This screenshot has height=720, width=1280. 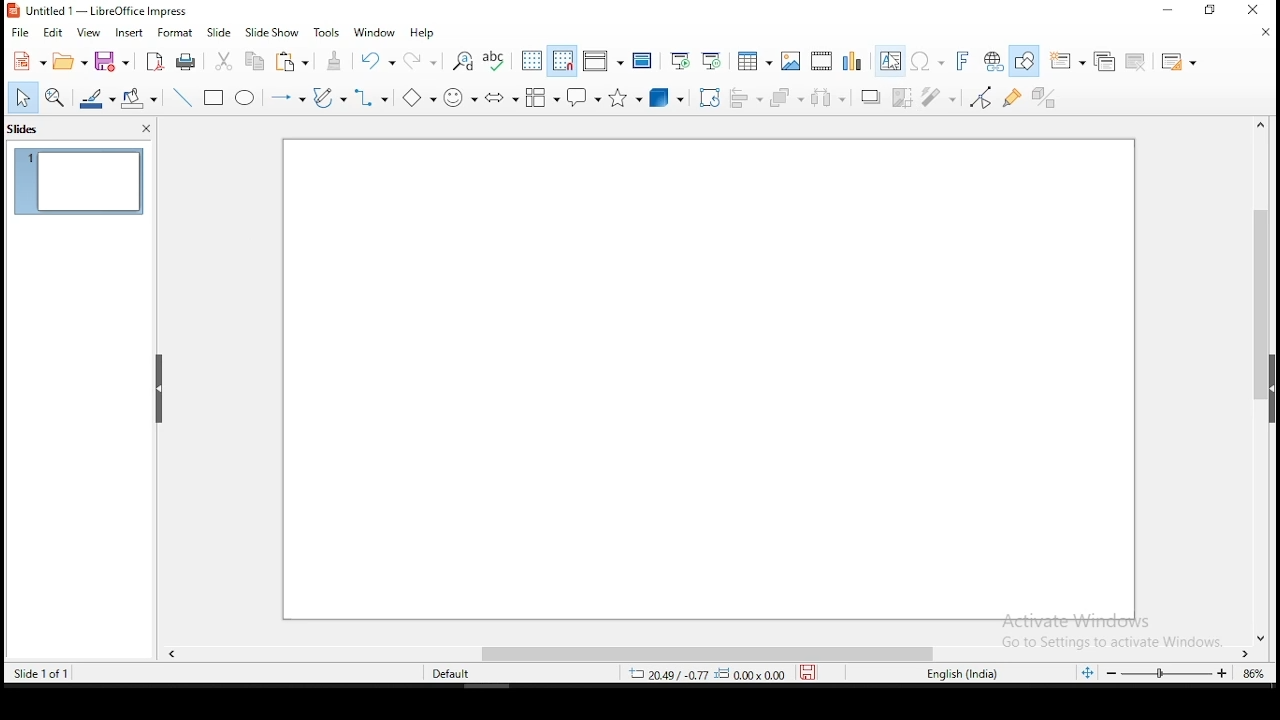 What do you see at coordinates (493, 59) in the screenshot?
I see `spell check` at bounding box center [493, 59].